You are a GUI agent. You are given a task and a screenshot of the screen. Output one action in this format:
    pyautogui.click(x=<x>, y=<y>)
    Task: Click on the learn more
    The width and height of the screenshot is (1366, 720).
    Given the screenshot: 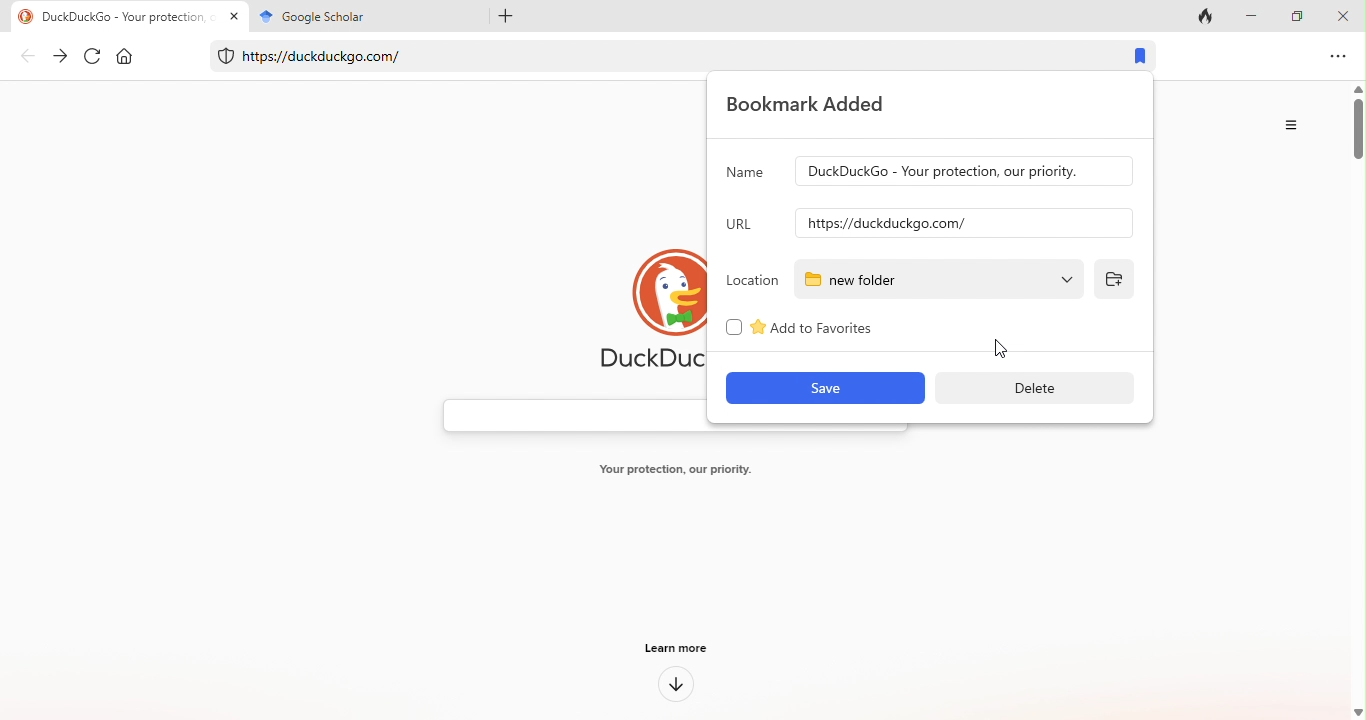 What is the action you would take?
    pyautogui.click(x=681, y=646)
    